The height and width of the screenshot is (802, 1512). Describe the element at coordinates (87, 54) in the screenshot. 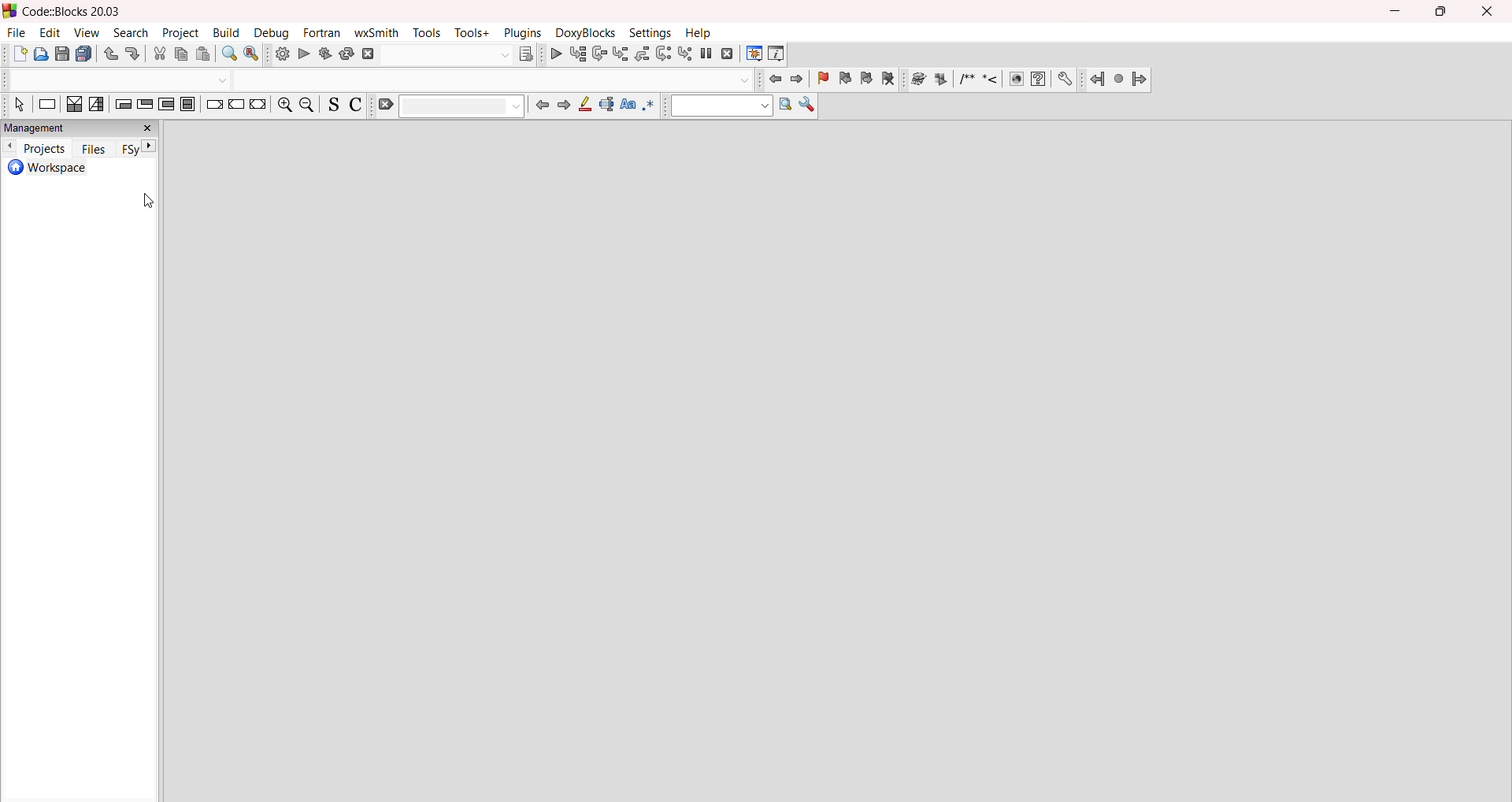

I see `save everything` at that location.